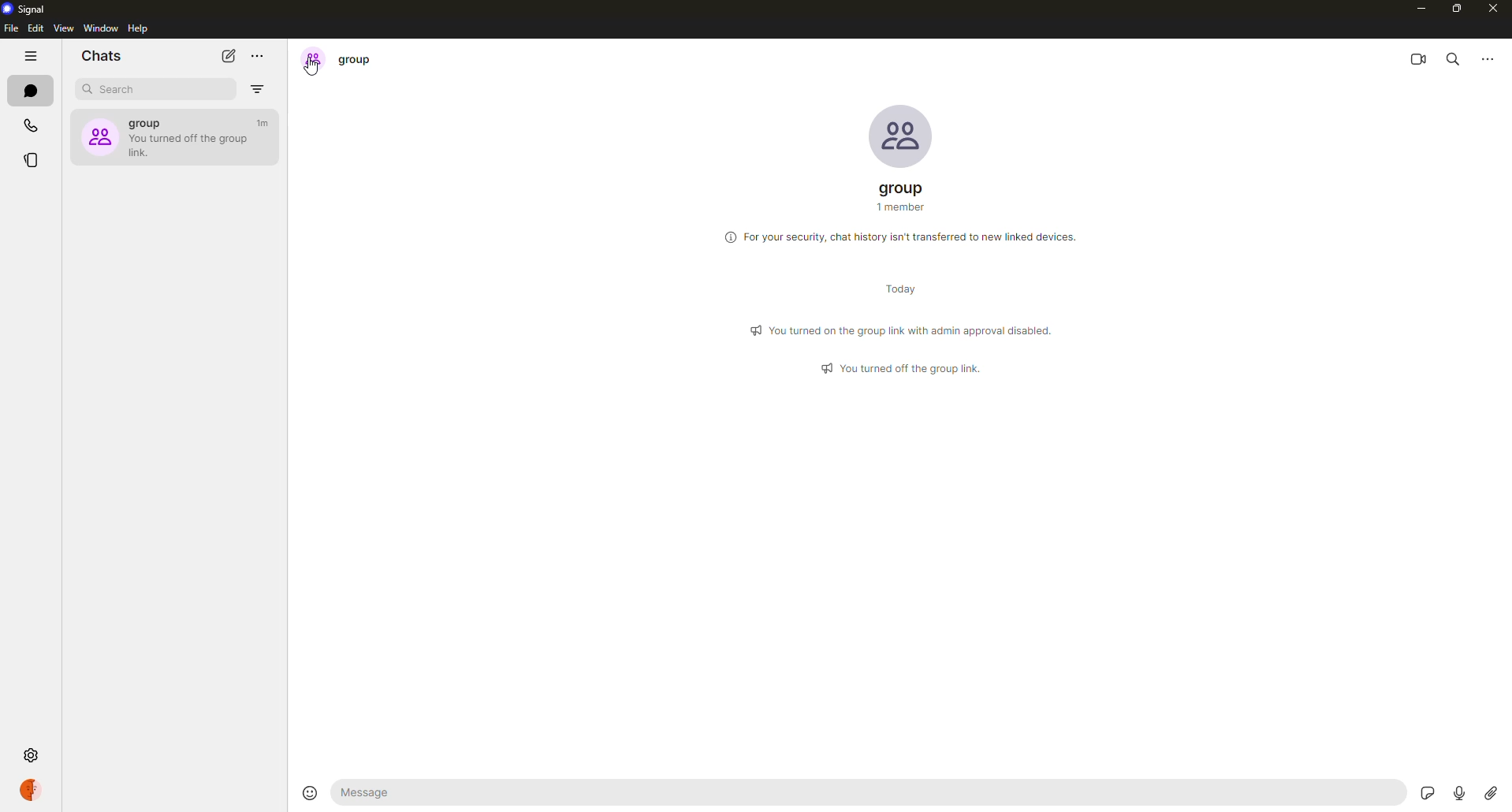 The width and height of the screenshot is (1512, 812). What do you see at coordinates (1420, 58) in the screenshot?
I see `video call` at bounding box center [1420, 58].